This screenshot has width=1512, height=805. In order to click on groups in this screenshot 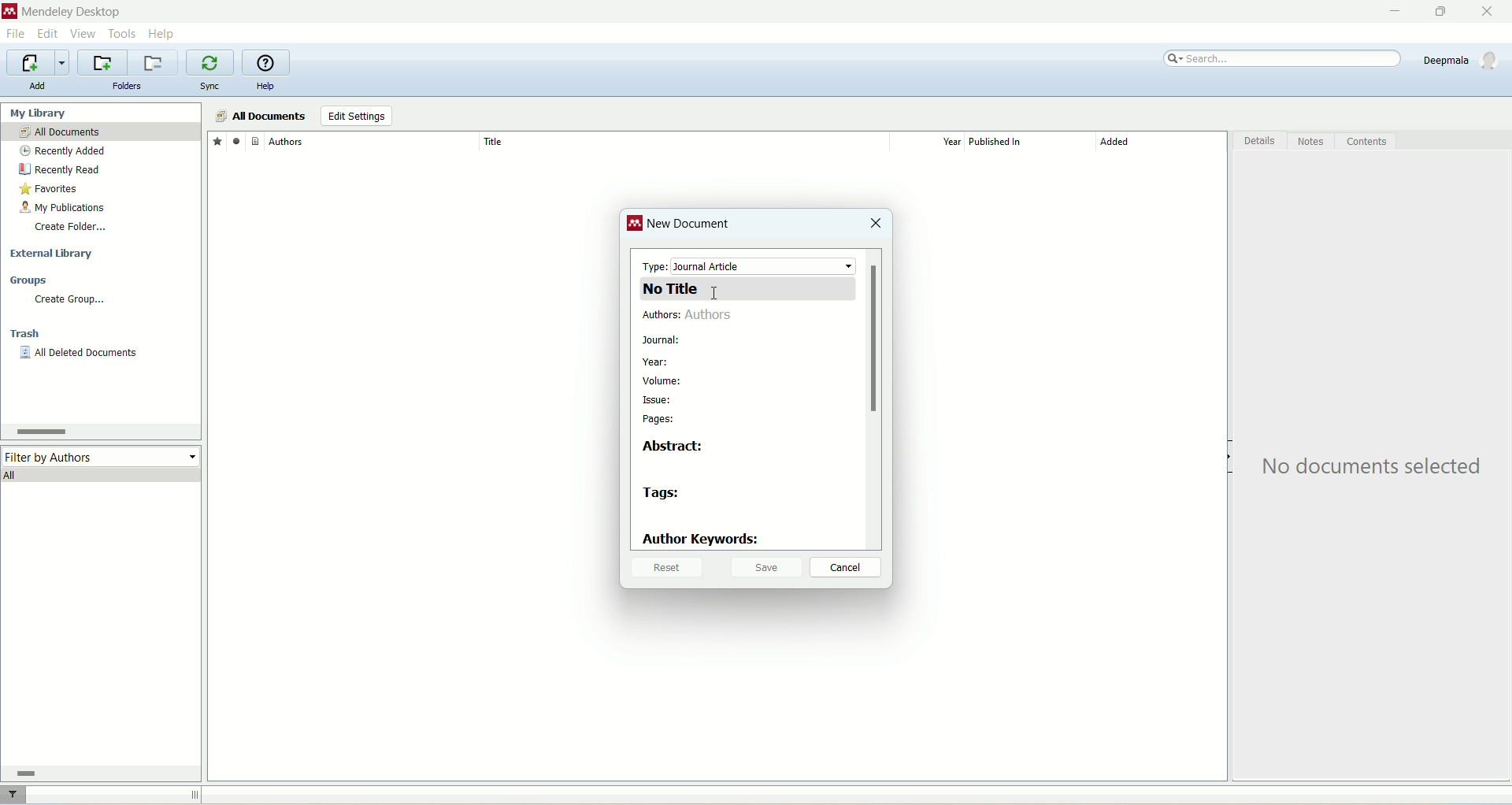, I will do `click(30, 281)`.